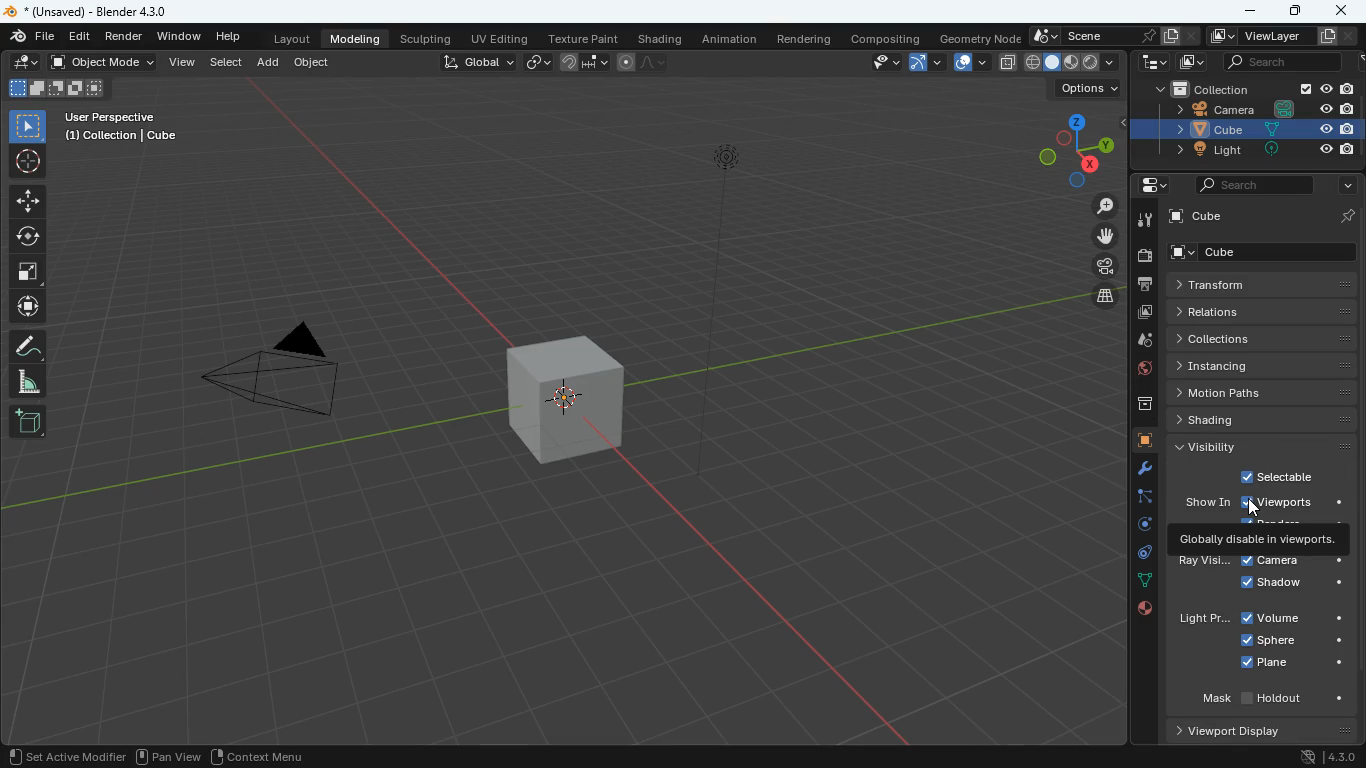 The width and height of the screenshot is (1366, 768). Describe the element at coordinates (1264, 446) in the screenshot. I see `visibility` at that location.